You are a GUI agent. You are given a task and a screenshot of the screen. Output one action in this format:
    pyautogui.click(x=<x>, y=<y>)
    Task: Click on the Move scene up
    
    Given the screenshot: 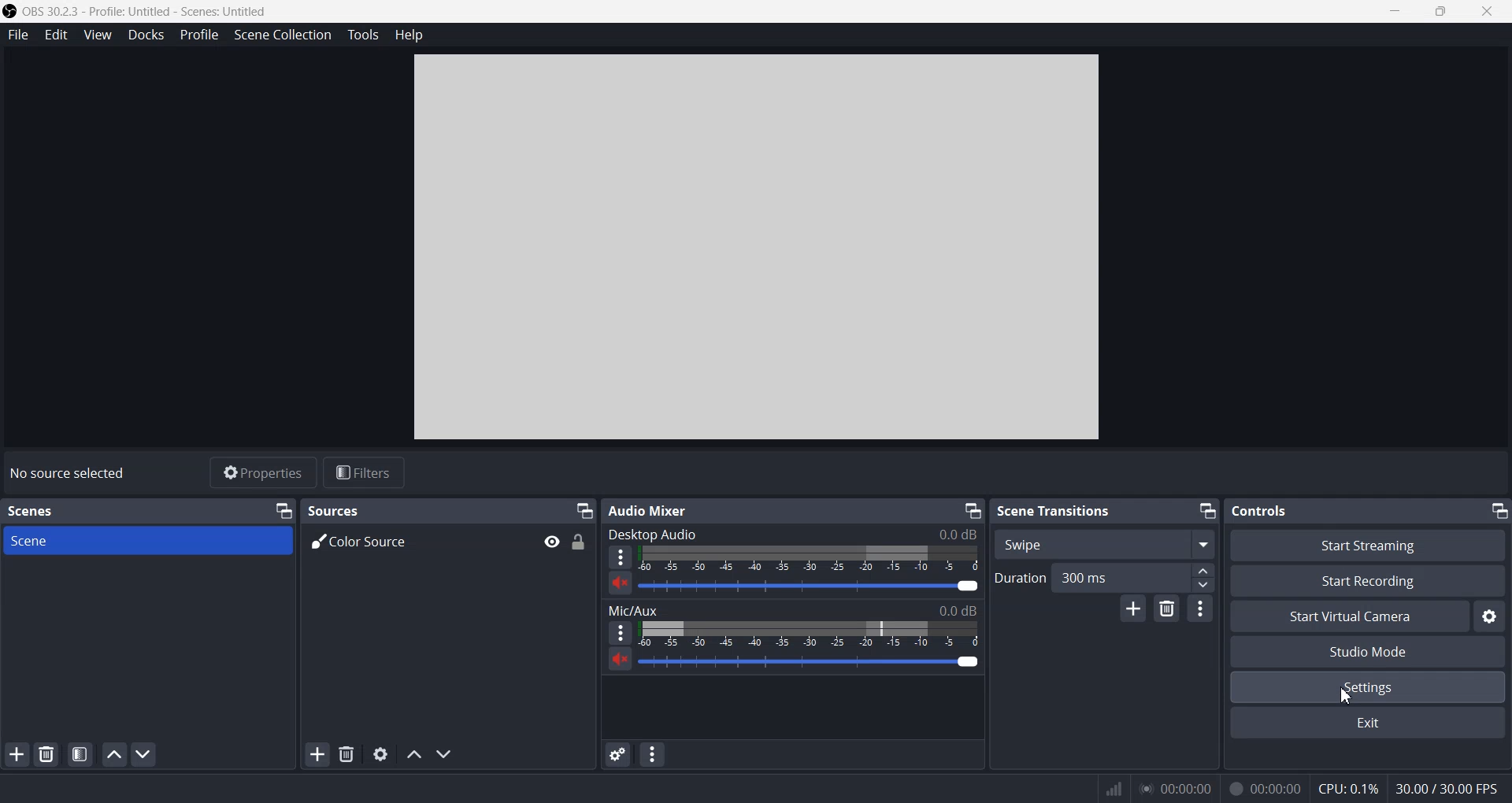 What is the action you would take?
    pyautogui.click(x=114, y=754)
    